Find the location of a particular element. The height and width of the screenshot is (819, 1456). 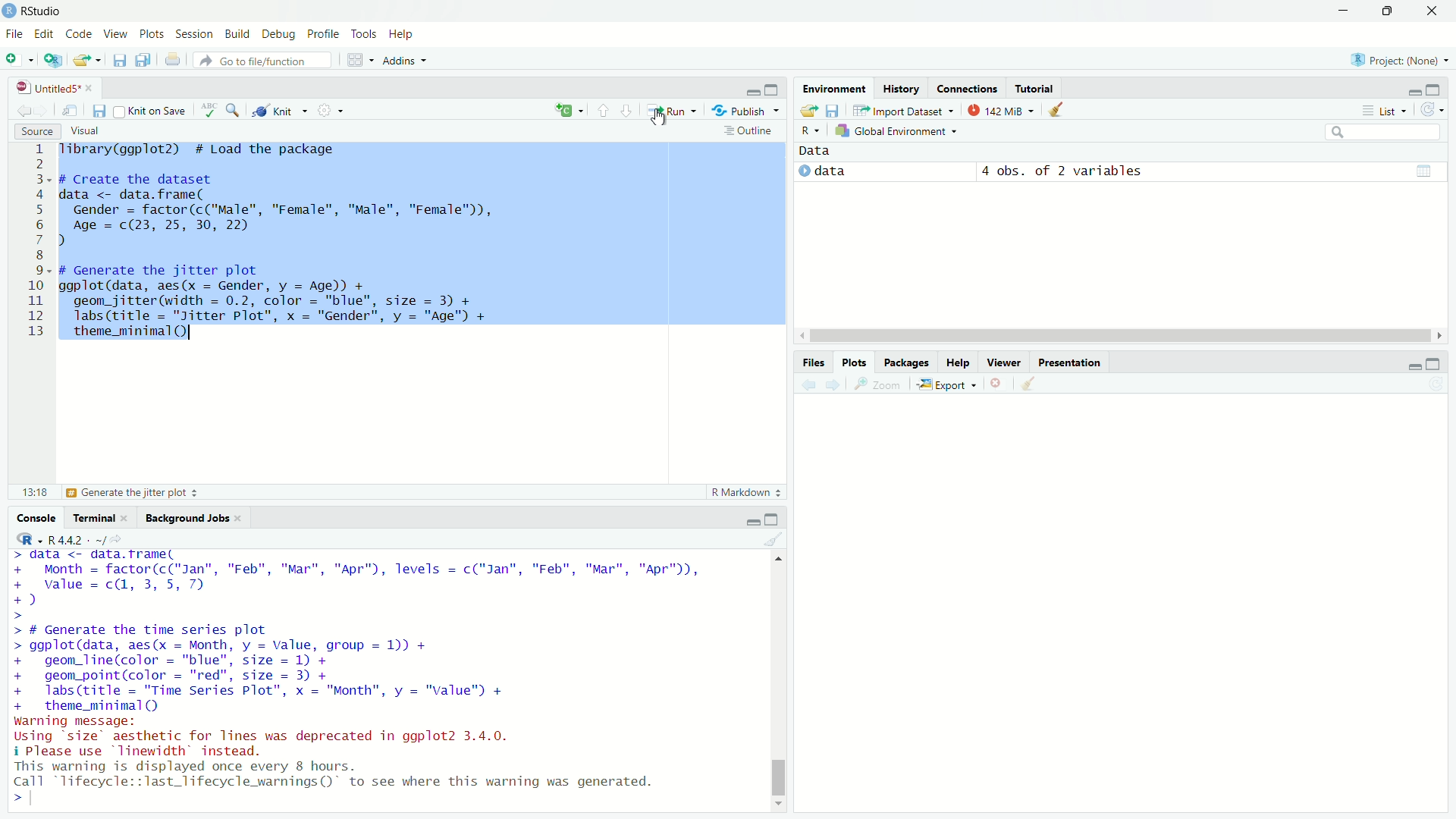

4 obs. of 2 variables is located at coordinates (1062, 169).